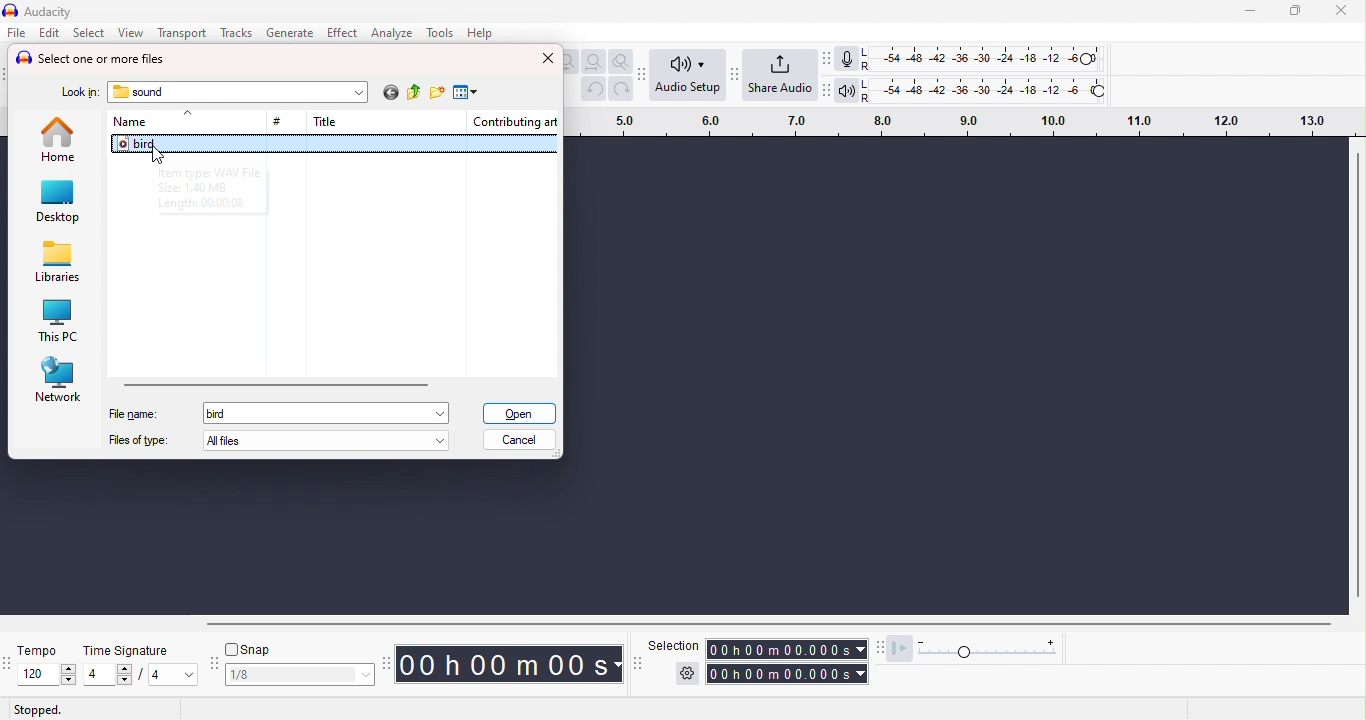  What do you see at coordinates (302, 675) in the screenshot?
I see `select snap` at bounding box center [302, 675].